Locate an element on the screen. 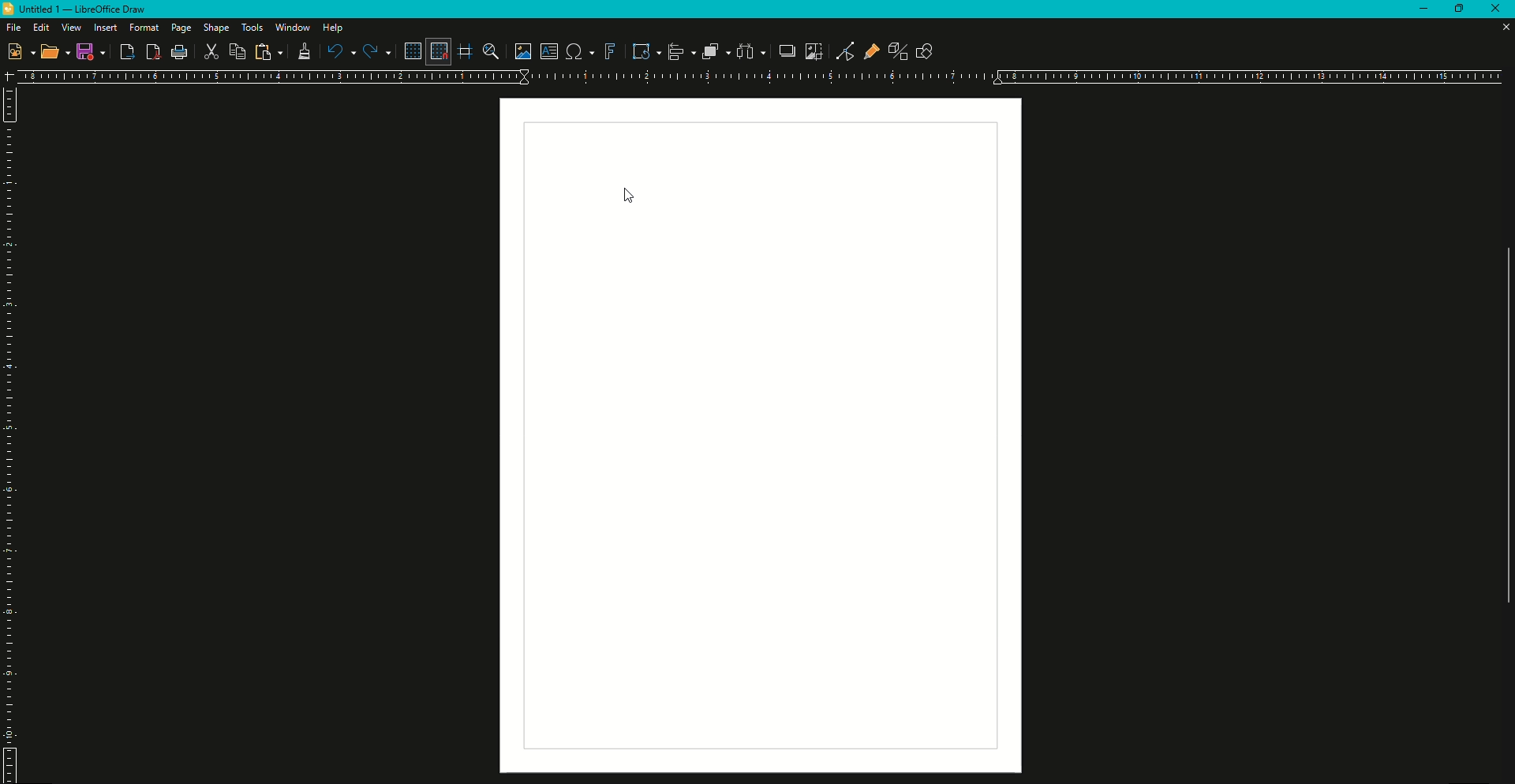 The width and height of the screenshot is (1515, 784). Copy is located at coordinates (269, 52).